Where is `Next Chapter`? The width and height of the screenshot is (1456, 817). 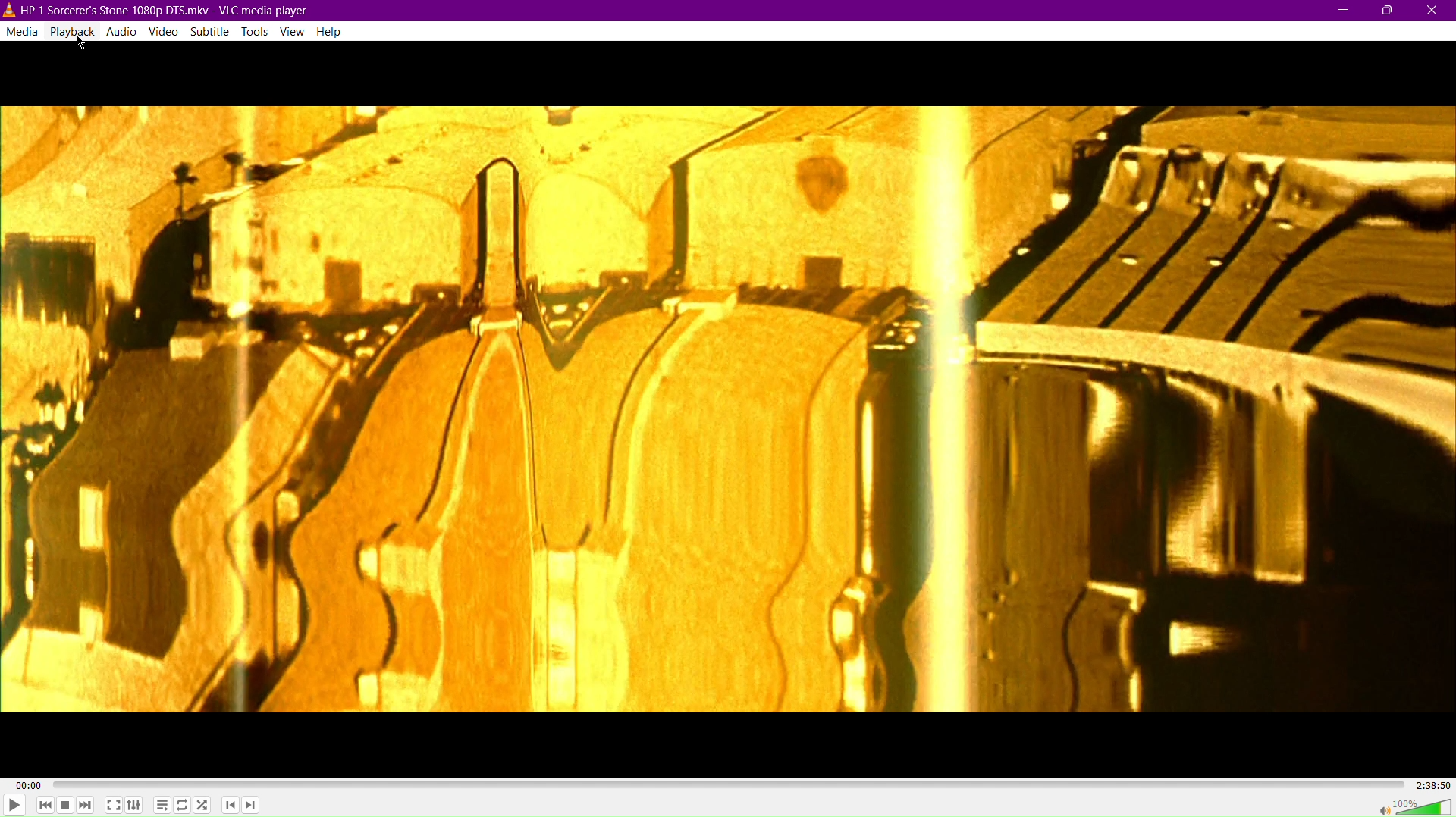
Next Chapter is located at coordinates (253, 807).